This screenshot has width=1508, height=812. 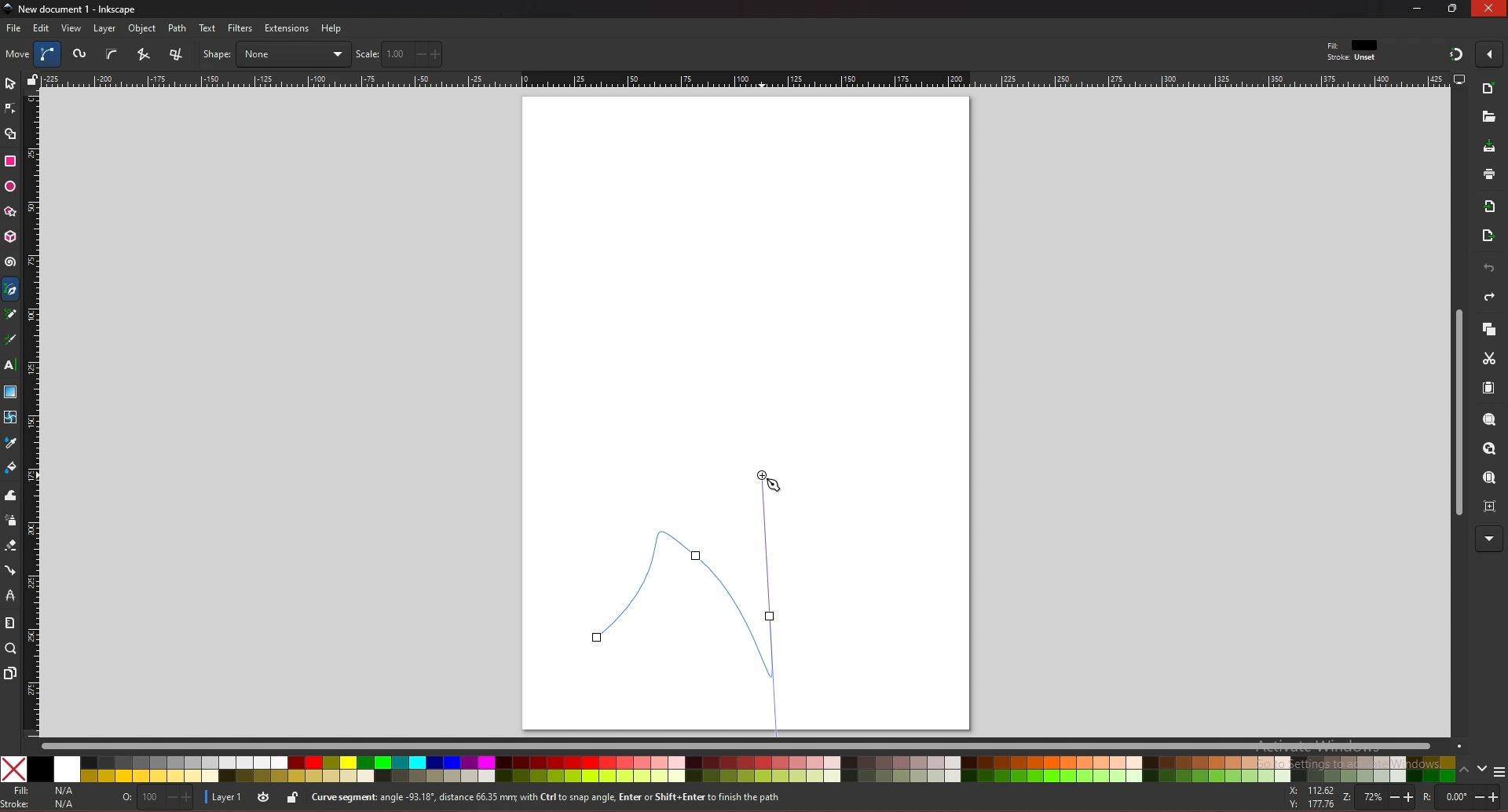 What do you see at coordinates (13, 290) in the screenshot?
I see `pen` at bounding box center [13, 290].